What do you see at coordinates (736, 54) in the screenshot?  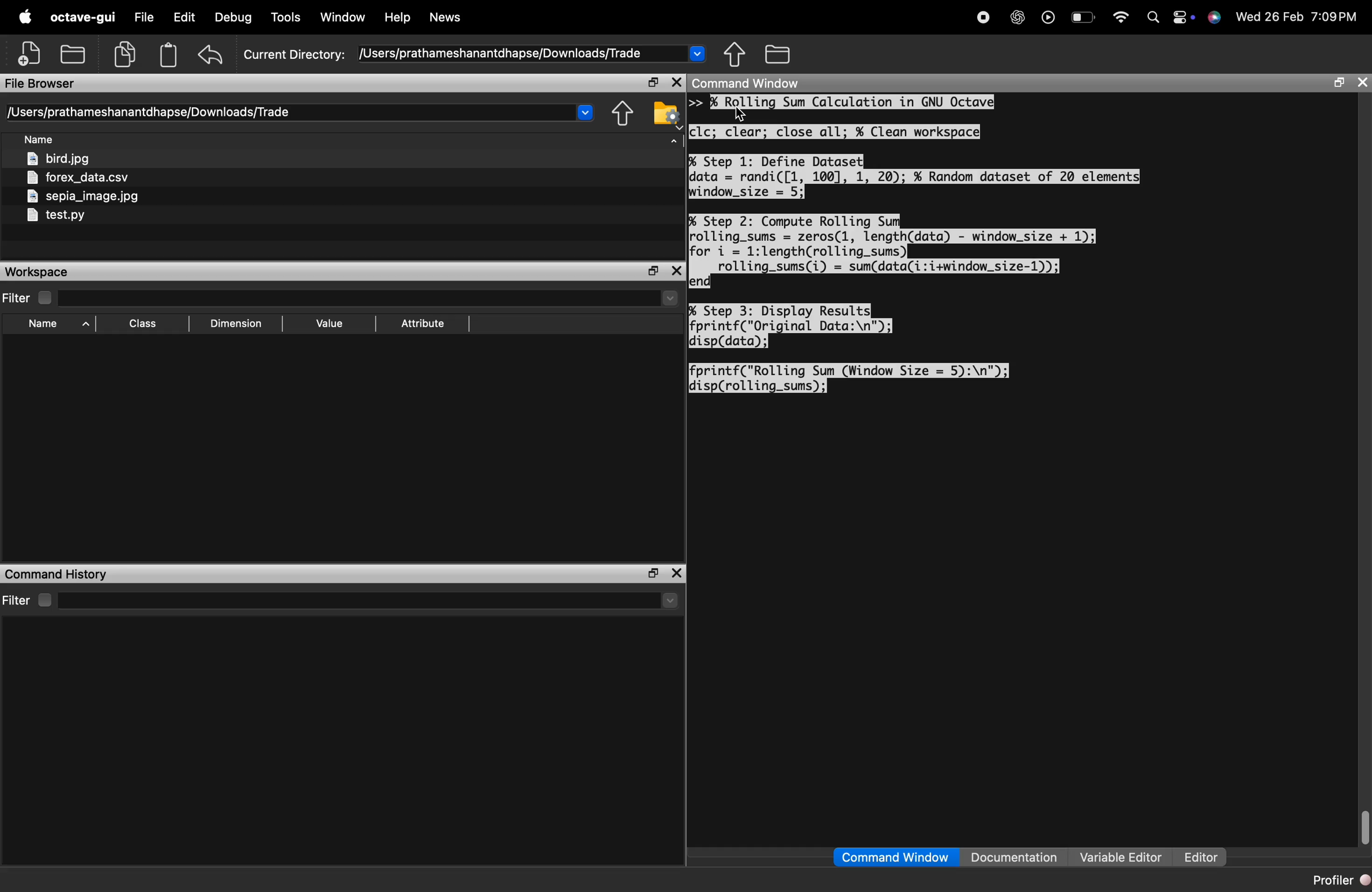 I see `one directory up` at bounding box center [736, 54].